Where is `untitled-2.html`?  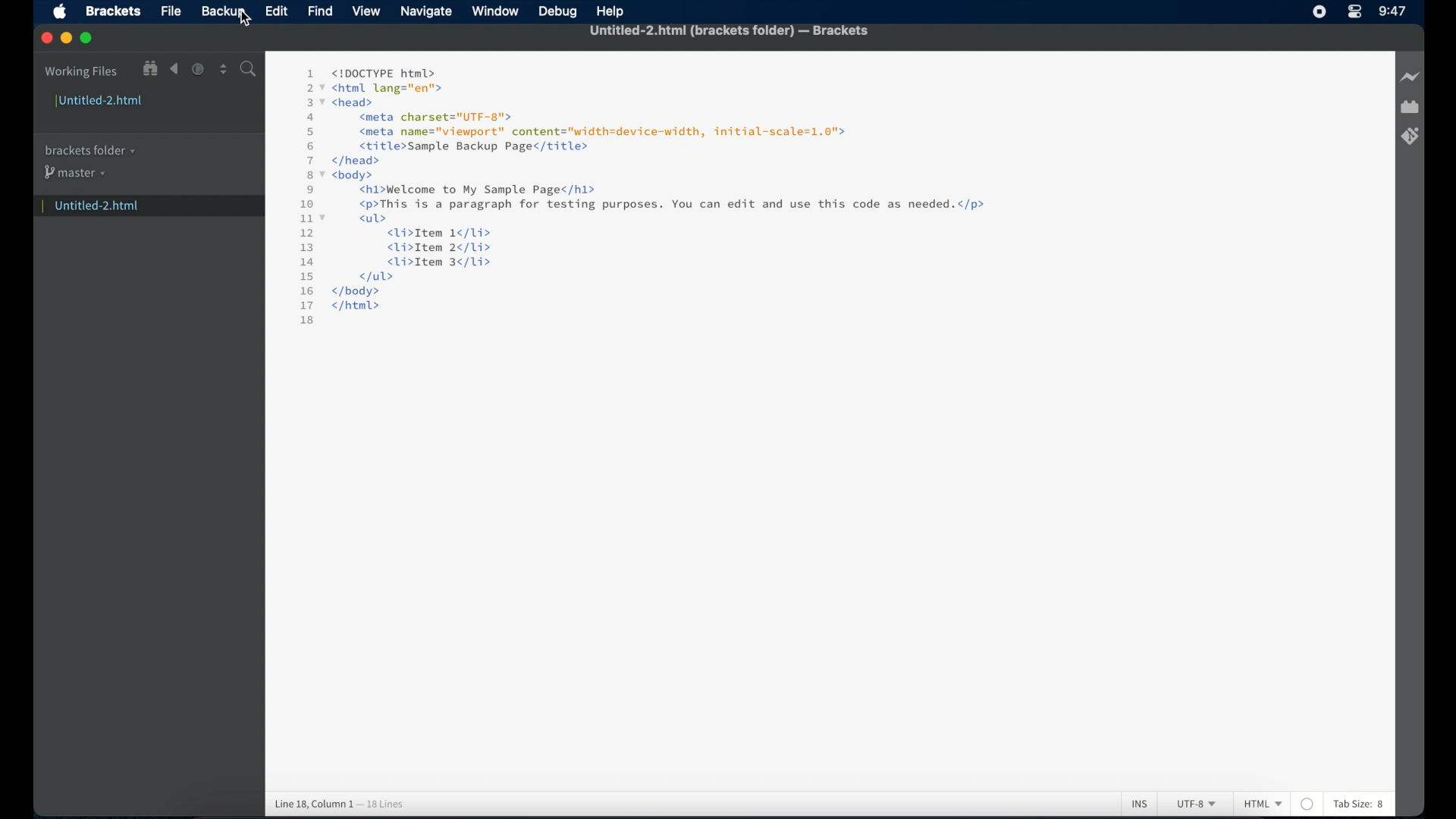 untitled-2.html is located at coordinates (141, 207).